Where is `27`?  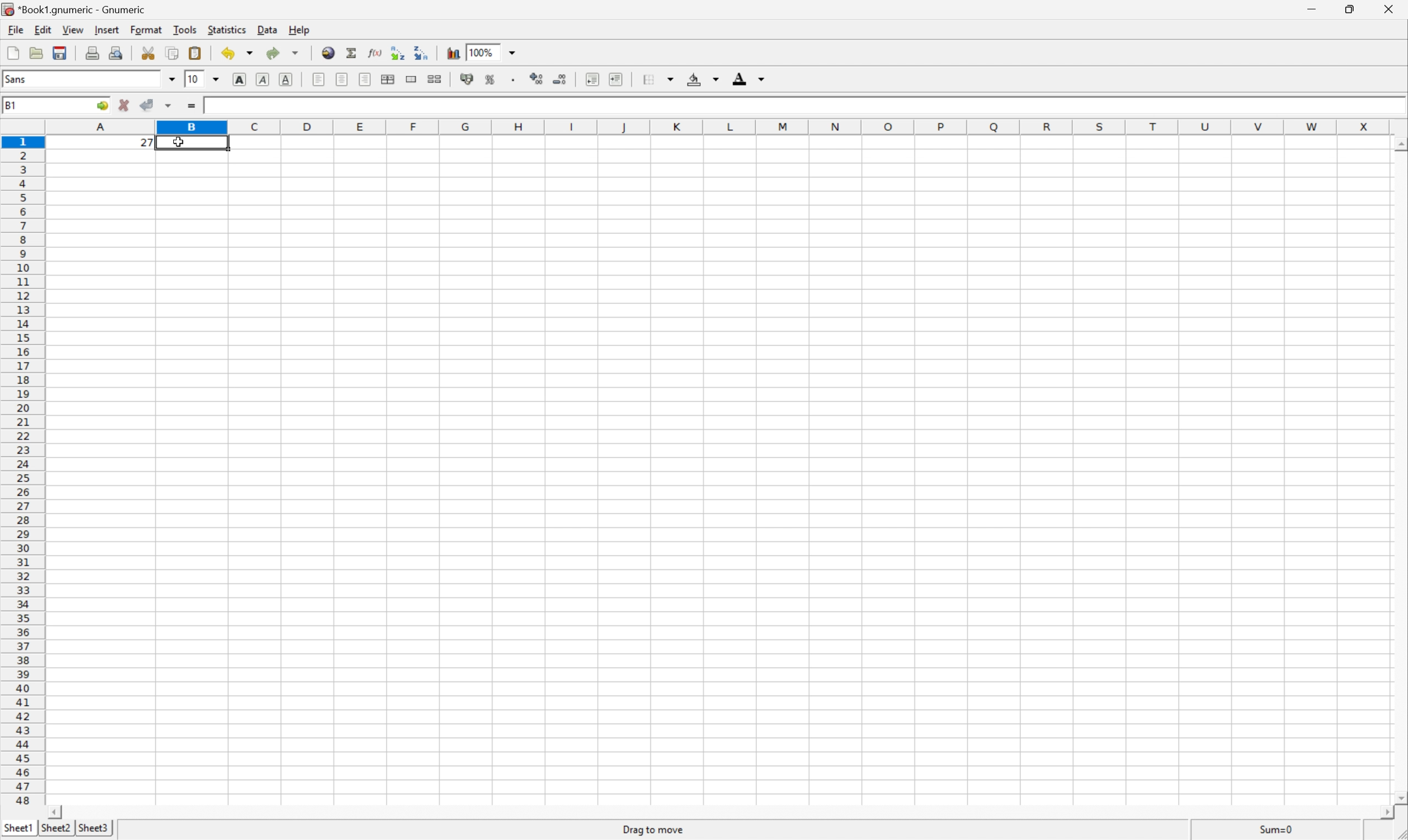 27 is located at coordinates (212, 104).